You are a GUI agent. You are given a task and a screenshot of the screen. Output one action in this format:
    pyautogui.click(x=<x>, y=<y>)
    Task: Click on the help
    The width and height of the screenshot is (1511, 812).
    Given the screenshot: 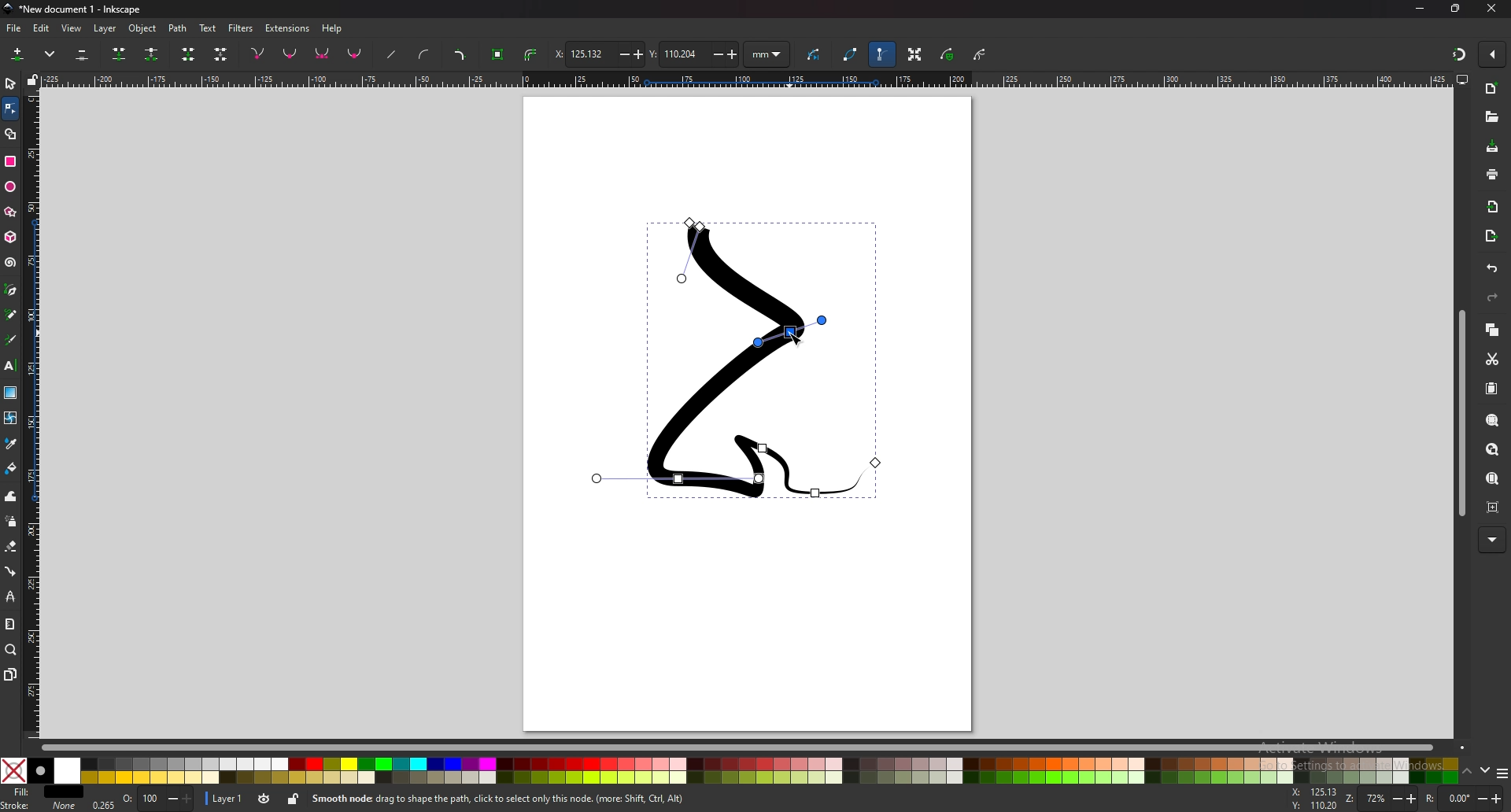 What is the action you would take?
    pyautogui.click(x=334, y=28)
    